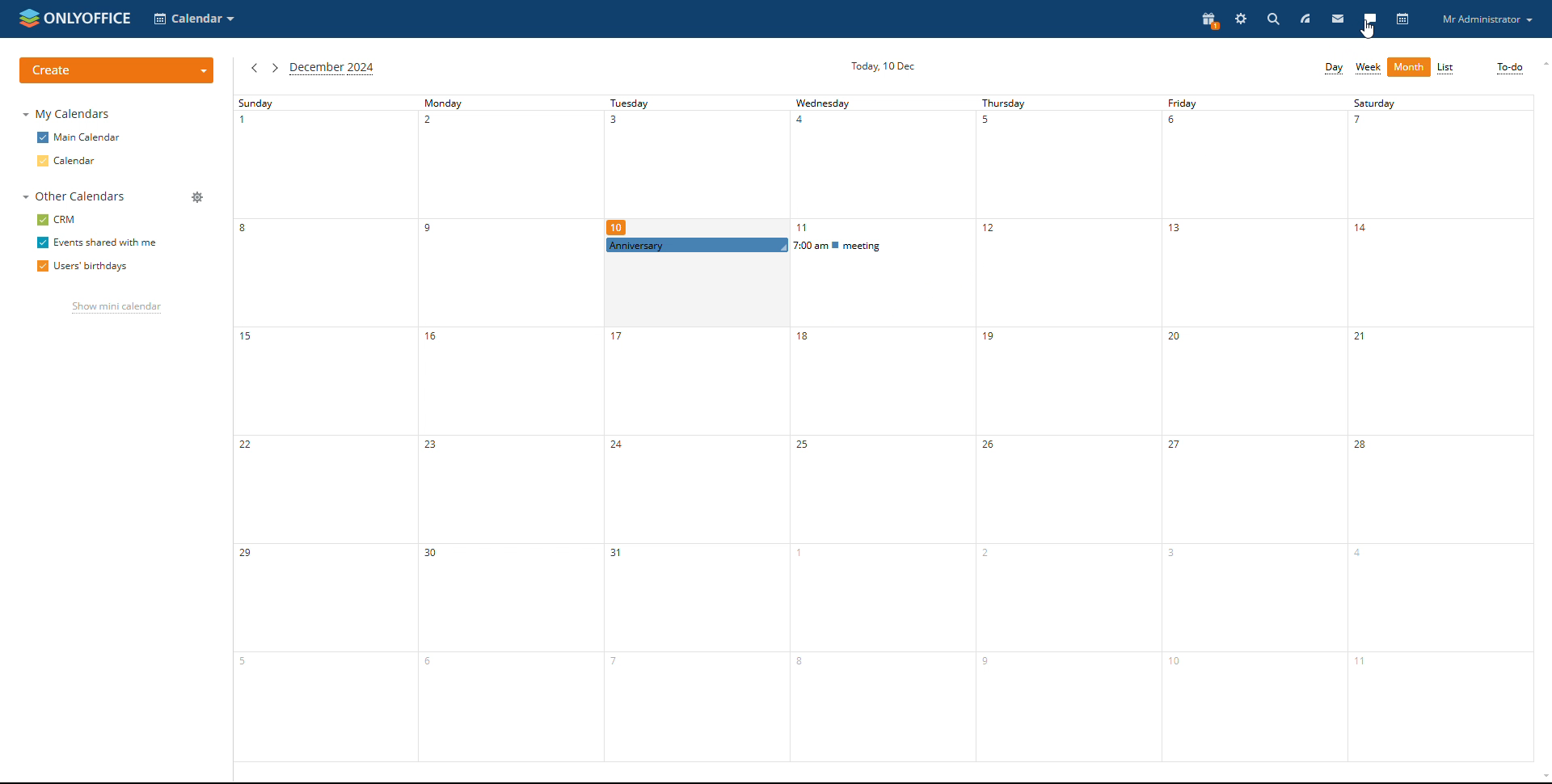 The height and width of the screenshot is (784, 1552). What do you see at coordinates (1369, 19) in the screenshot?
I see `talk` at bounding box center [1369, 19].